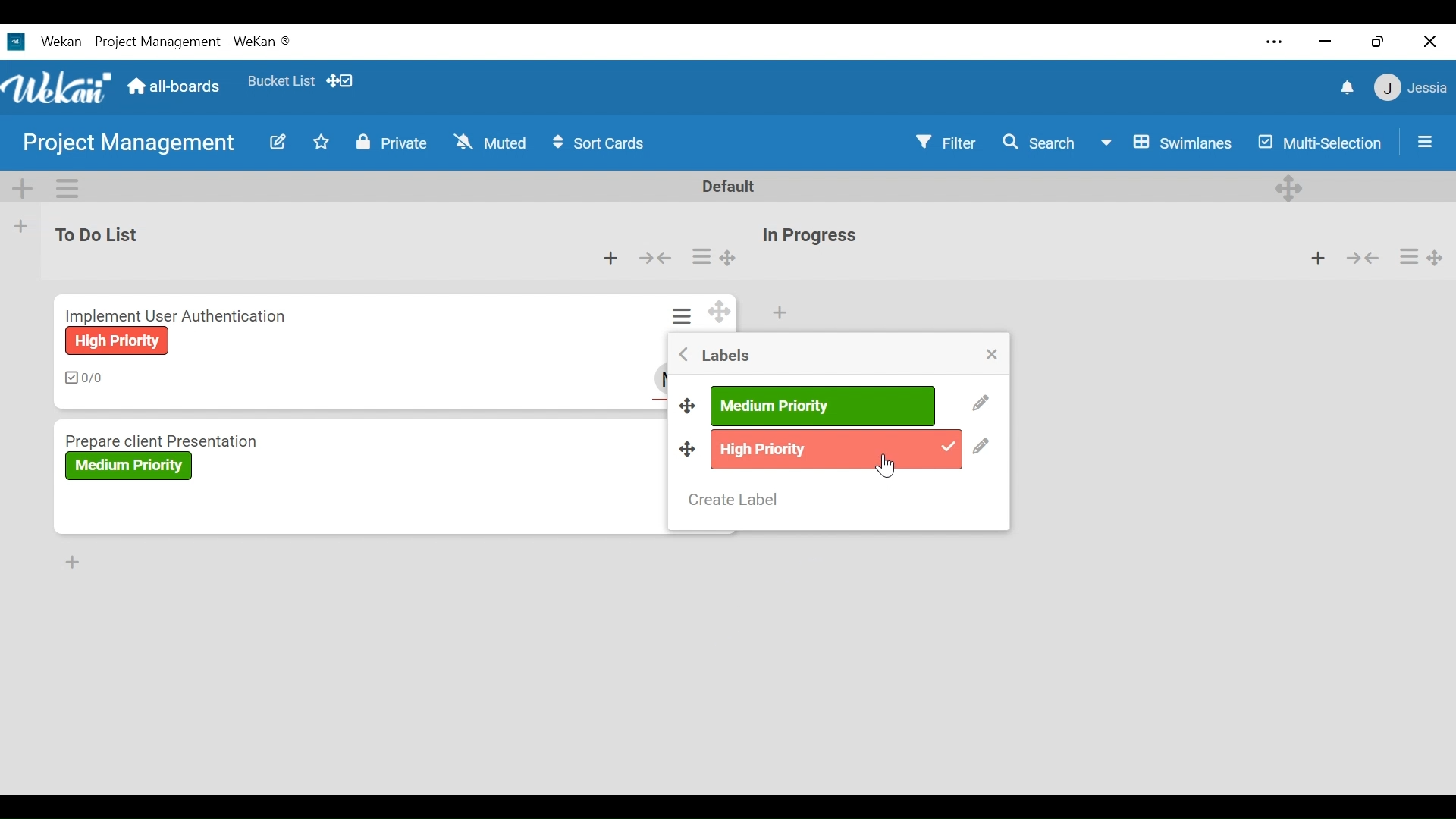 This screenshot has width=1456, height=819. What do you see at coordinates (808, 236) in the screenshot?
I see `List Name` at bounding box center [808, 236].